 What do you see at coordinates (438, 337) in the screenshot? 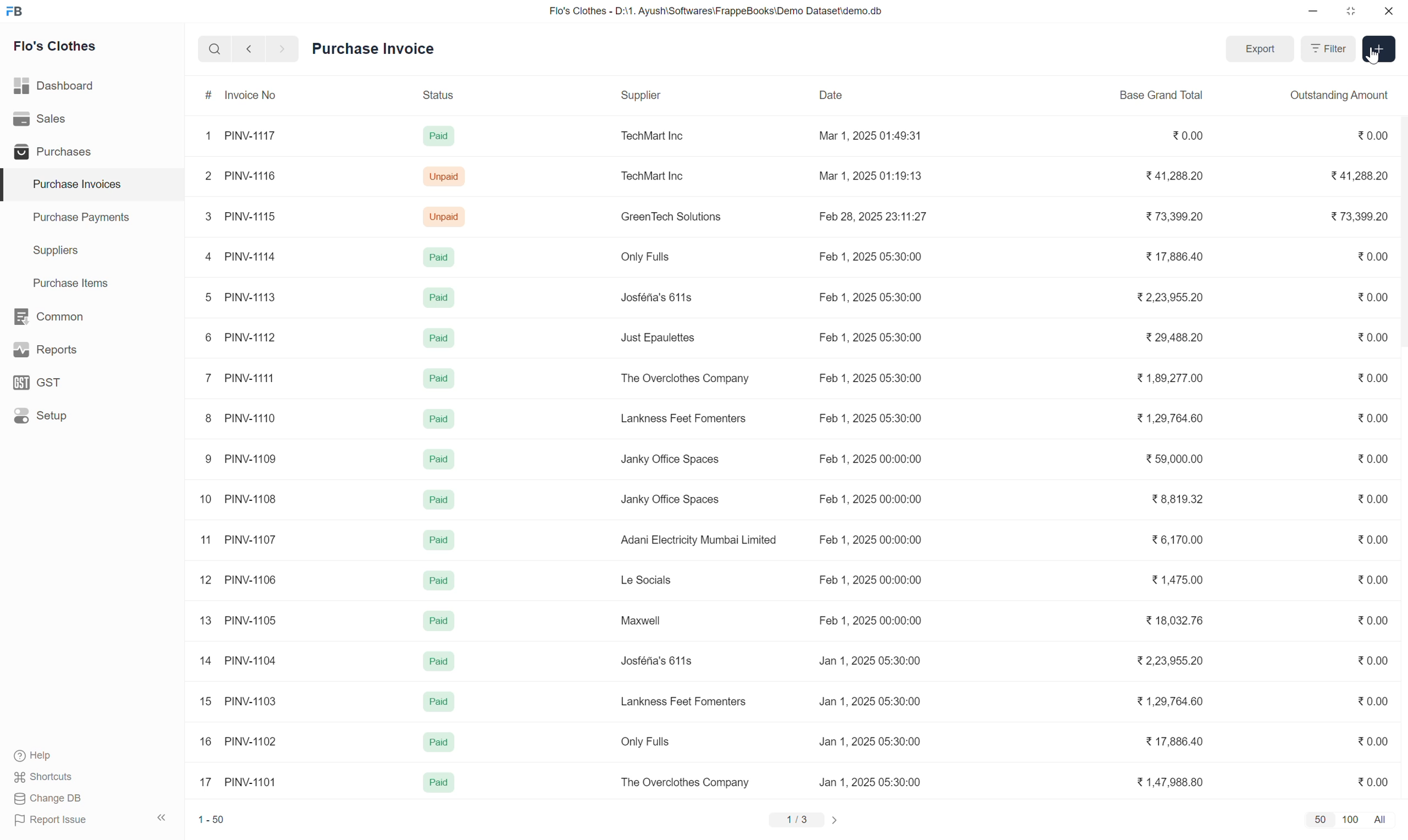
I see `Paid` at bounding box center [438, 337].